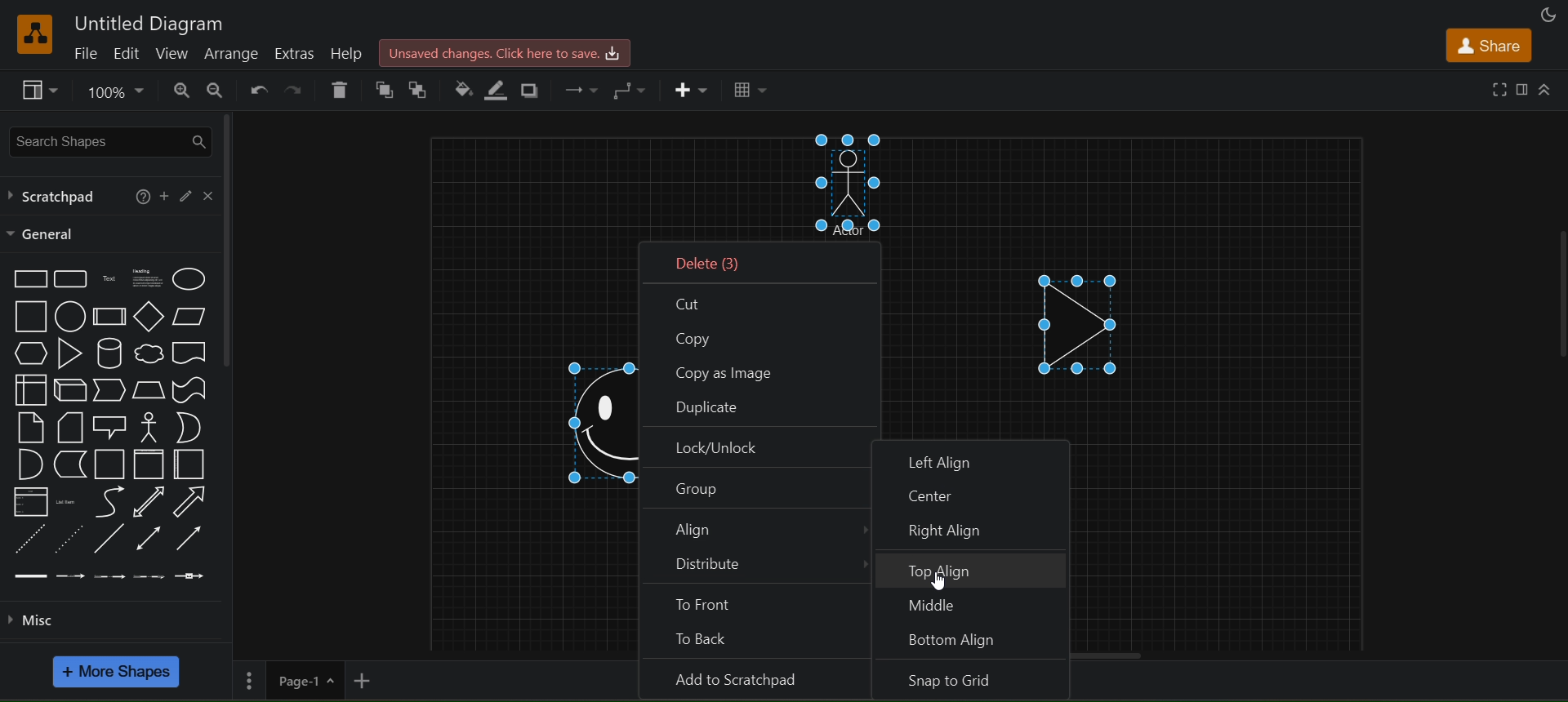  I want to click on triangle shape, so click(1083, 318).